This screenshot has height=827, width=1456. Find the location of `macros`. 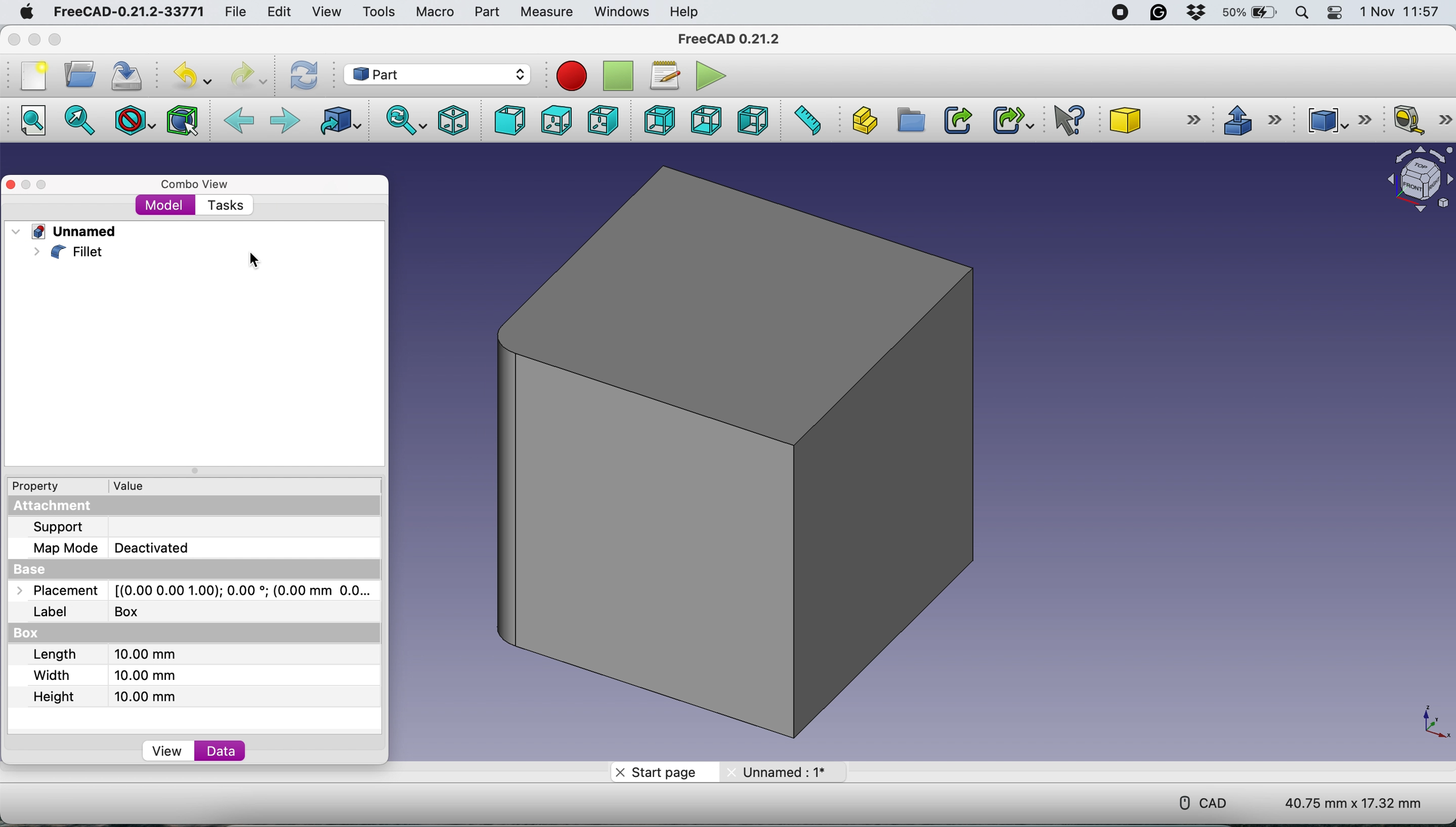

macros is located at coordinates (663, 77).